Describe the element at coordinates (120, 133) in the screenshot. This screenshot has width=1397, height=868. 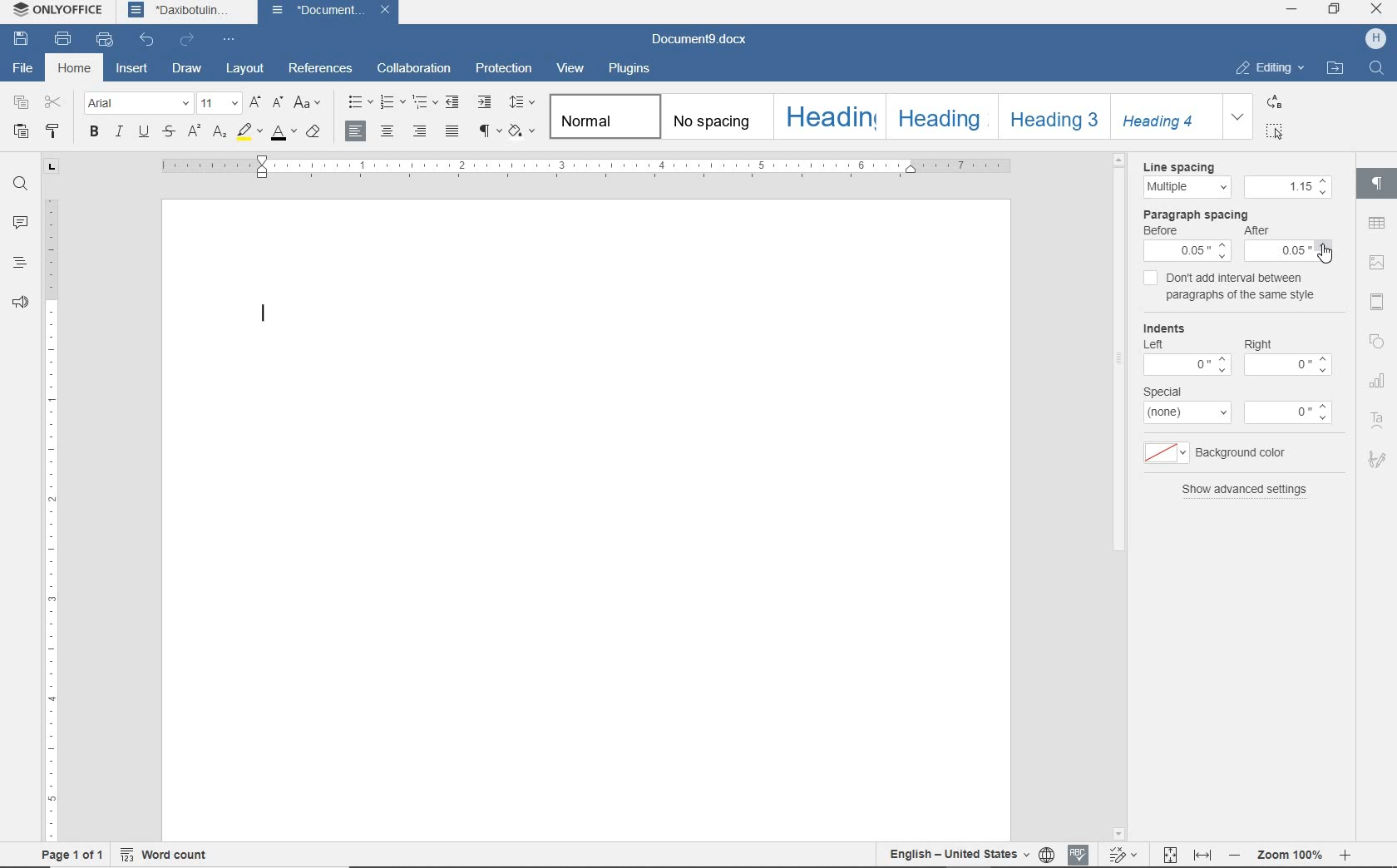
I see `italic` at that location.